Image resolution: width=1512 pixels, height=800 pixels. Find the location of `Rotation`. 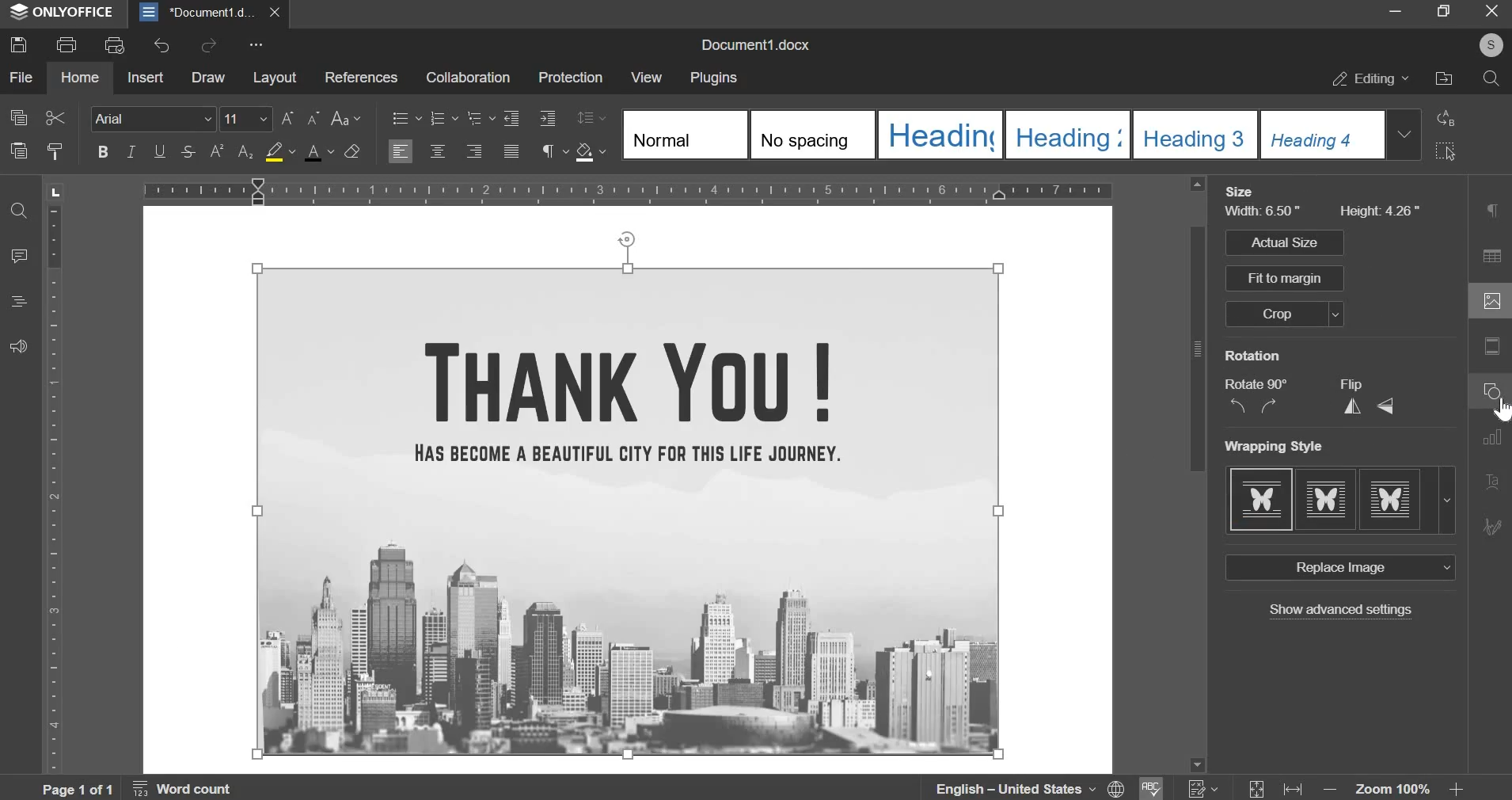

Rotation is located at coordinates (1252, 356).